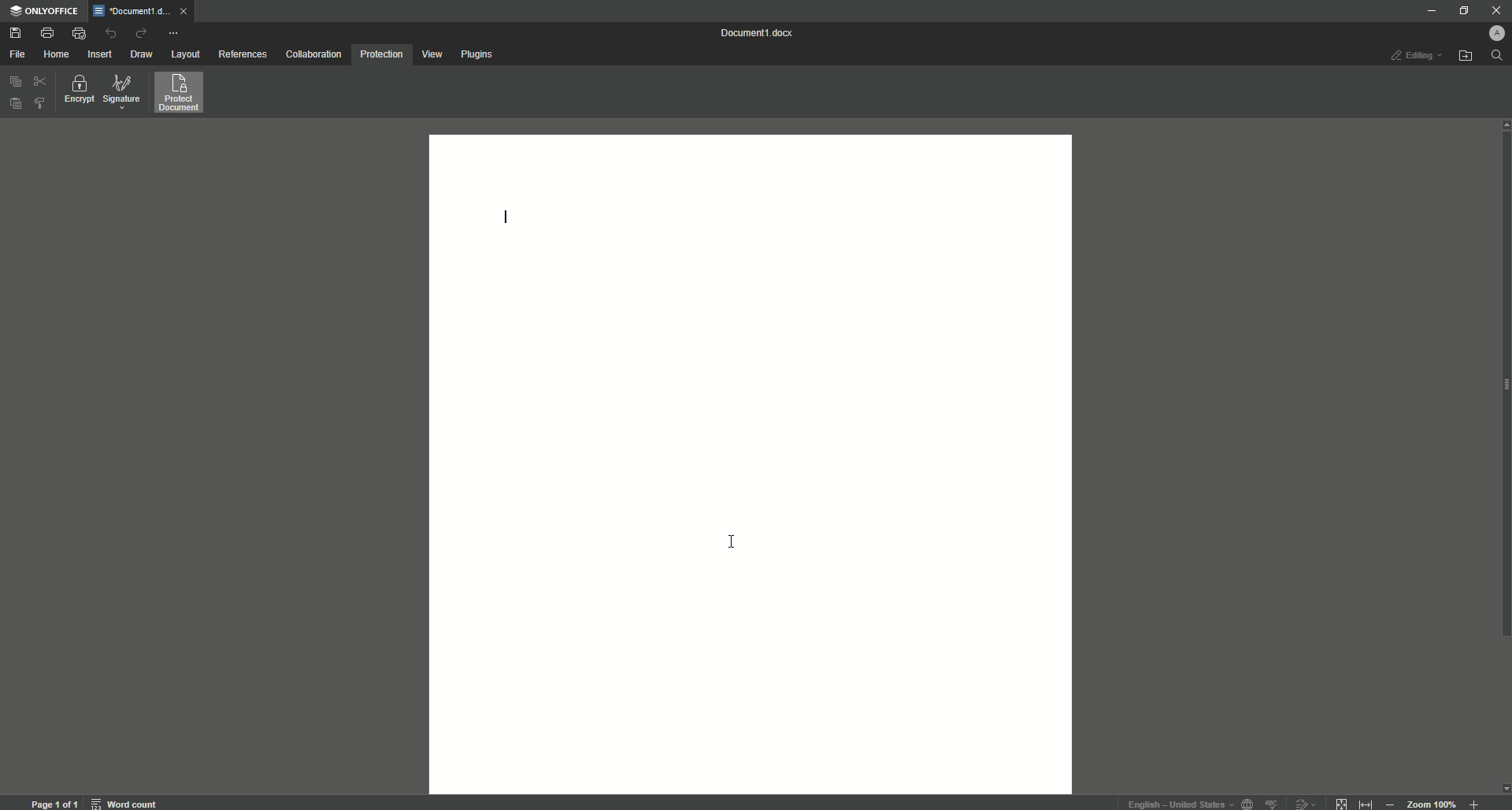 The width and height of the screenshot is (1512, 810). Describe the element at coordinates (132, 12) in the screenshot. I see `Tab 1` at that location.